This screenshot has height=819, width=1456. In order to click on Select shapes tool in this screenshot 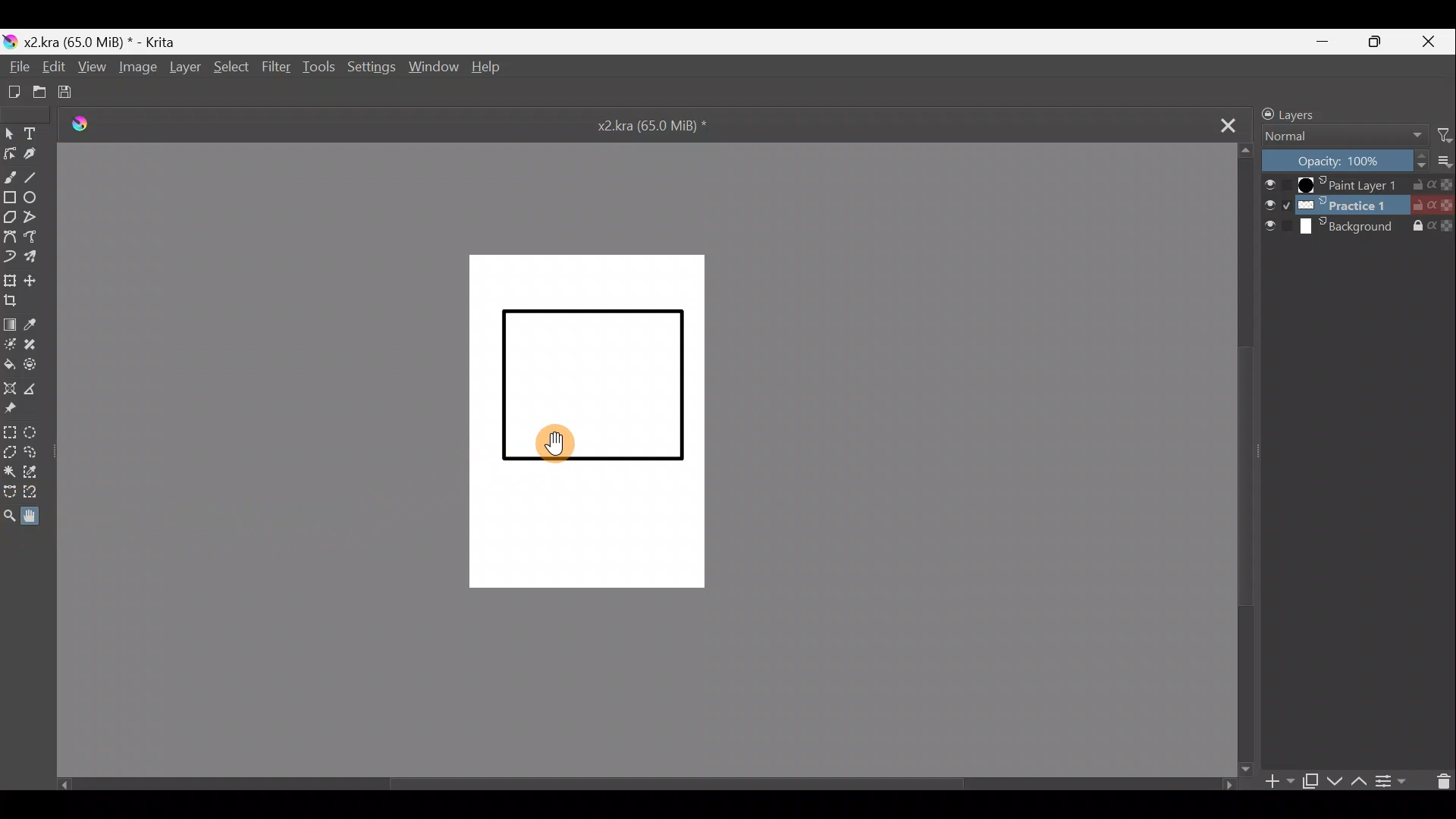, I will do `click(9, 134)`.